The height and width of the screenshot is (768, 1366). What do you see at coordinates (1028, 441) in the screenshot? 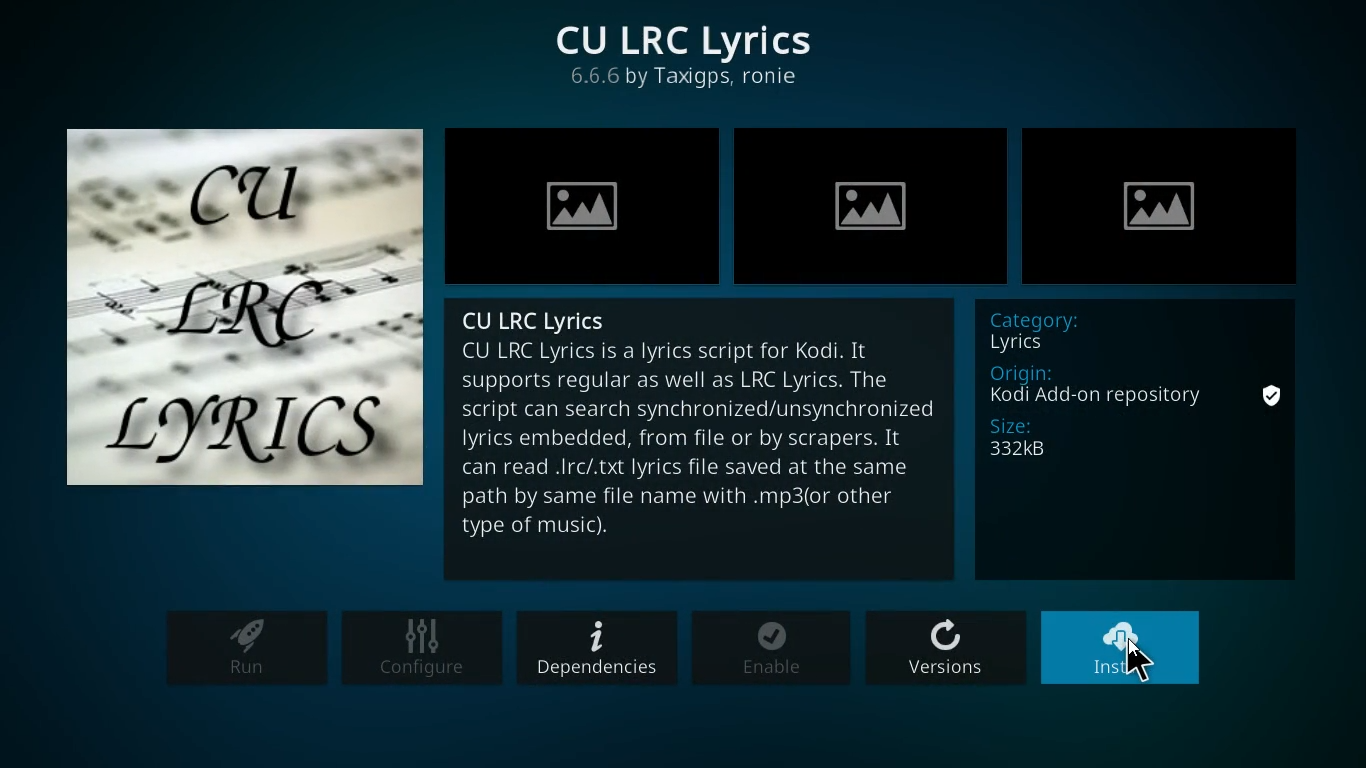
I see `size` at bounding box center [1028, 441].